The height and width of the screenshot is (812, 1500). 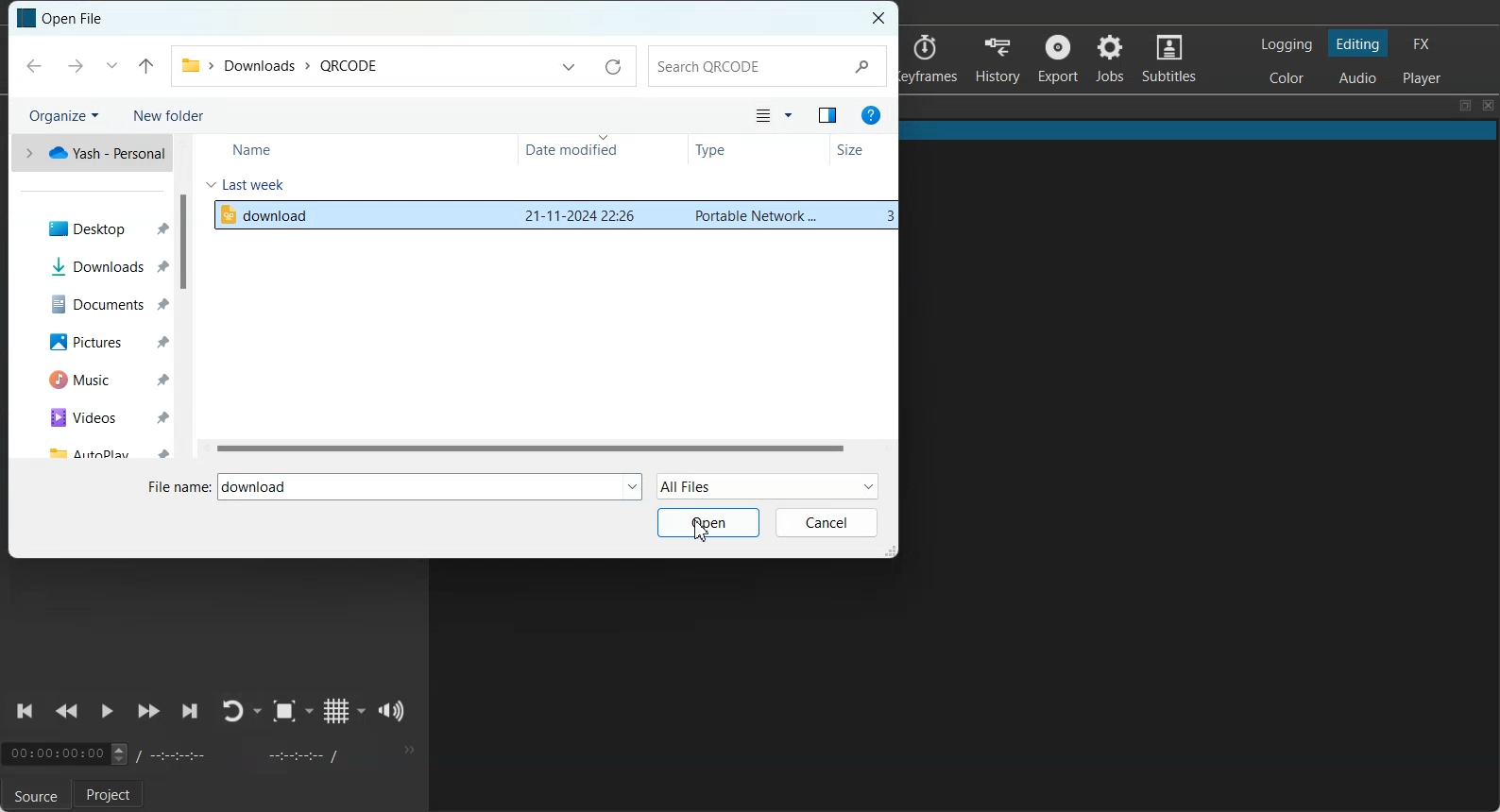 What do you see at coordinates (761, 116) in the screenshot?
I see `Change your view` at bounding box center [761, 116].